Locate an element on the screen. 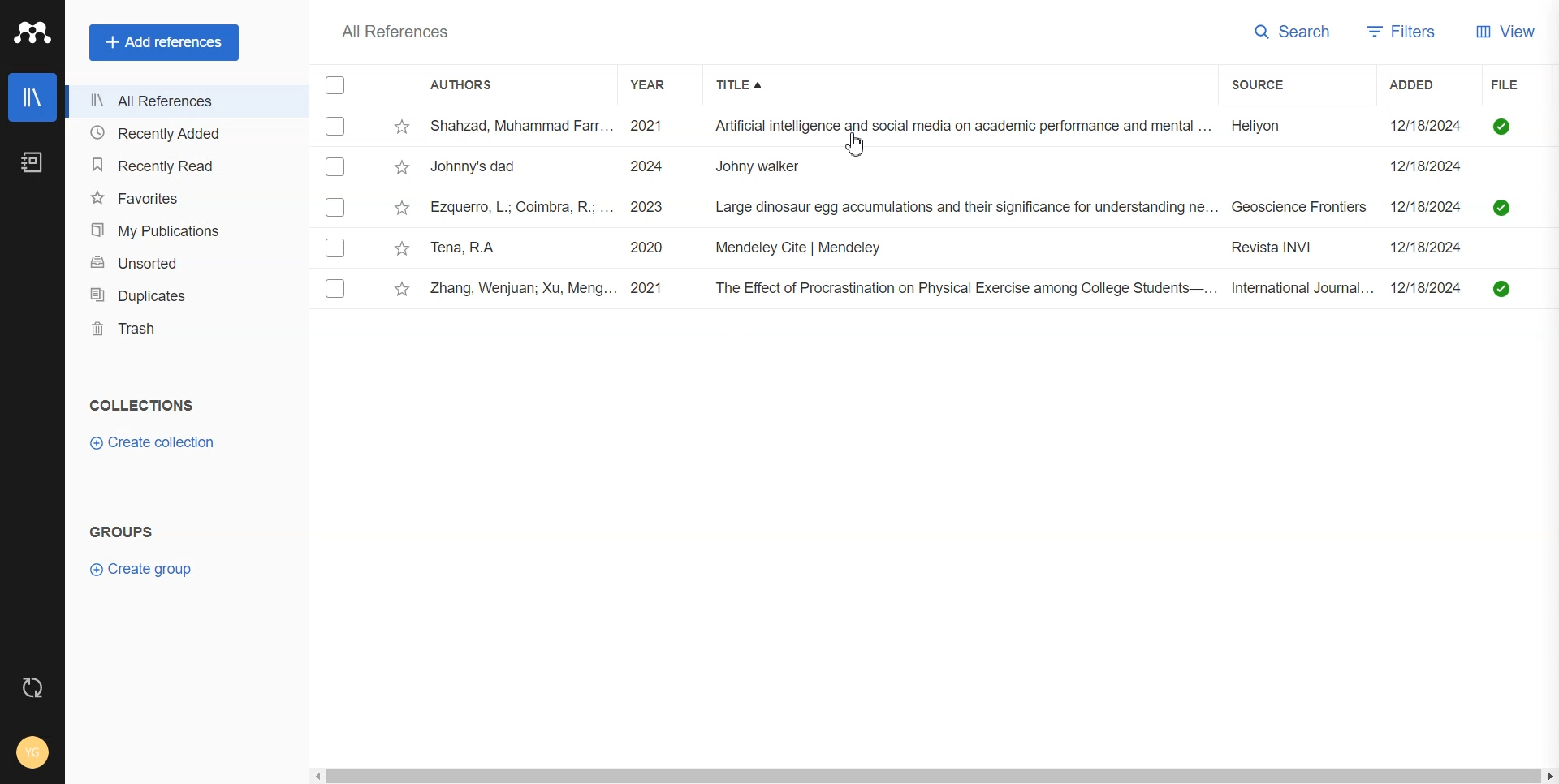 Image resolution: width=1559 pixels, height=784 pixels. Authors is located at coordinates (471, 86).